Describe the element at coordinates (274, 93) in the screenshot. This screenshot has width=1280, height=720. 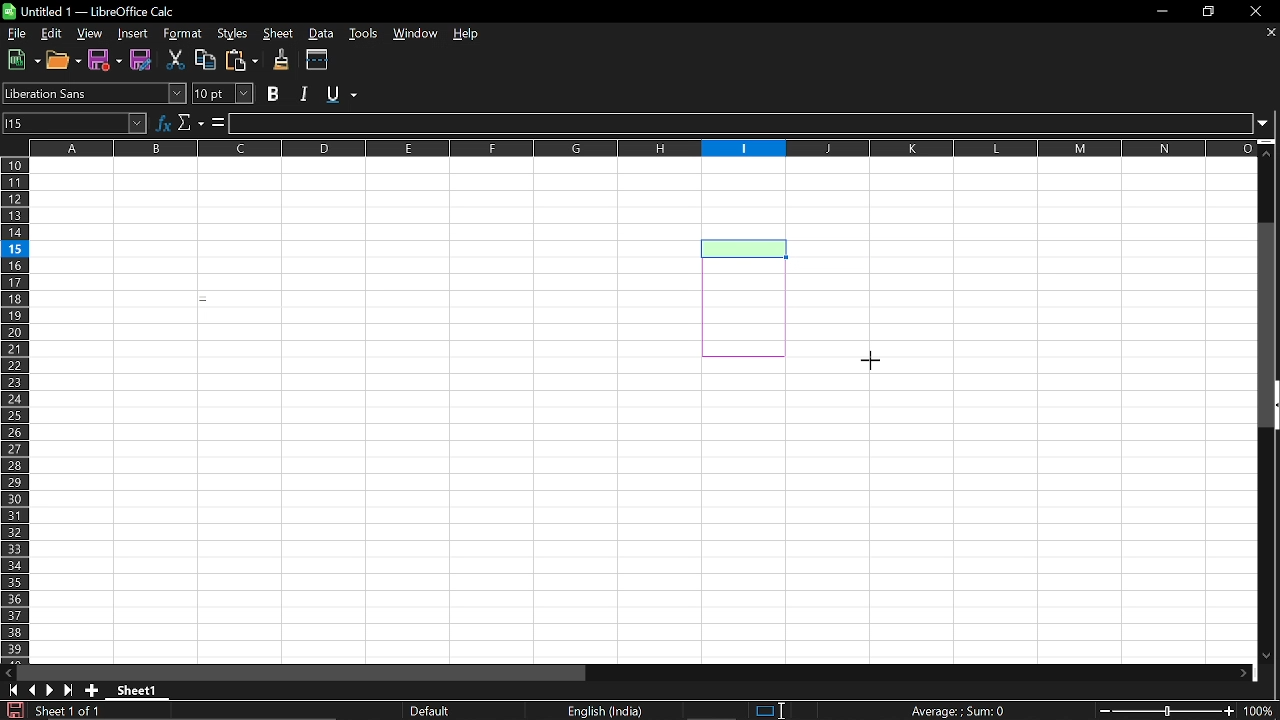
I see `Bold` at that location.